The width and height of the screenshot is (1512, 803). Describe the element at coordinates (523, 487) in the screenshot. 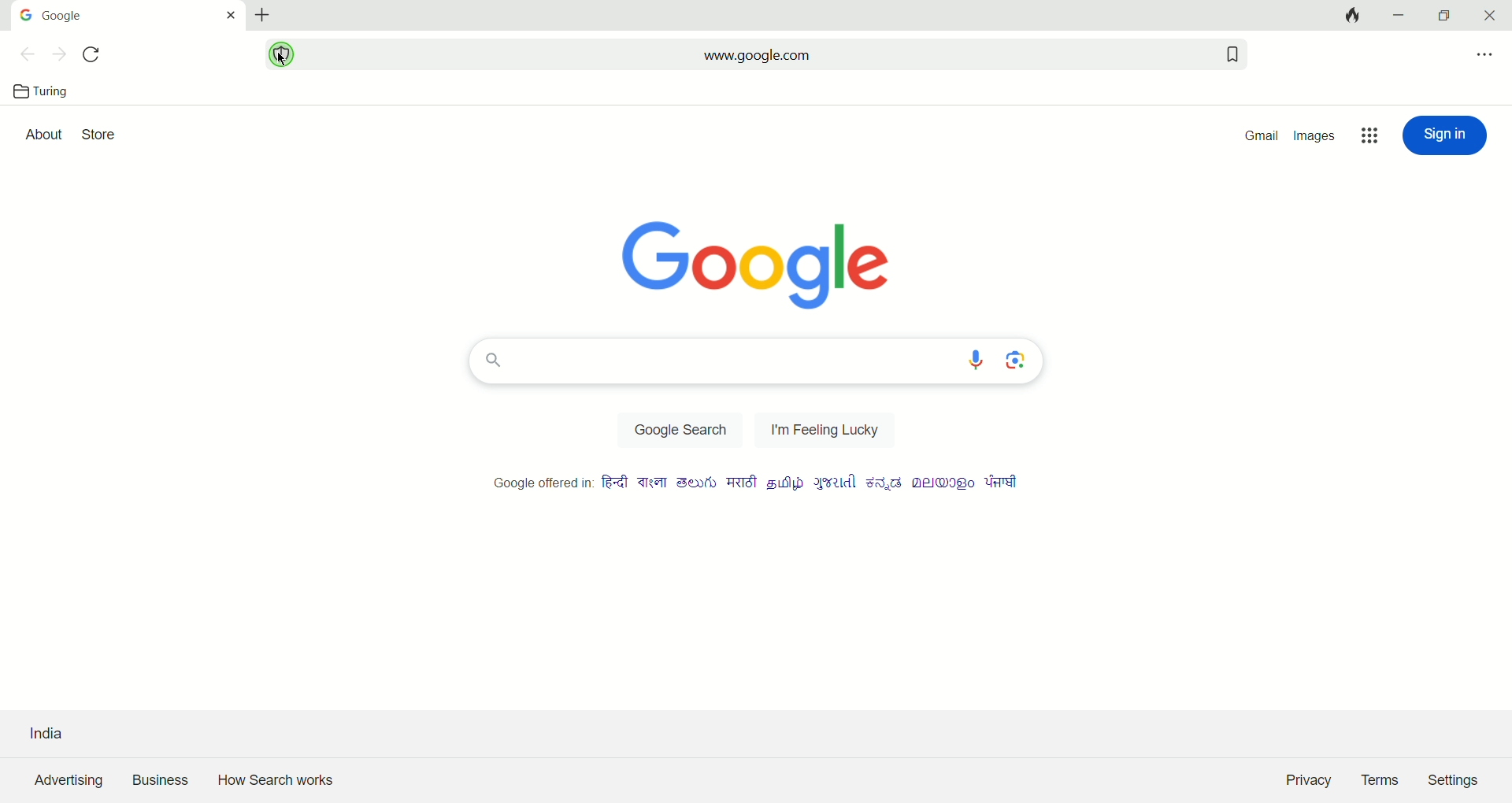

I see `google offered in` at that location.